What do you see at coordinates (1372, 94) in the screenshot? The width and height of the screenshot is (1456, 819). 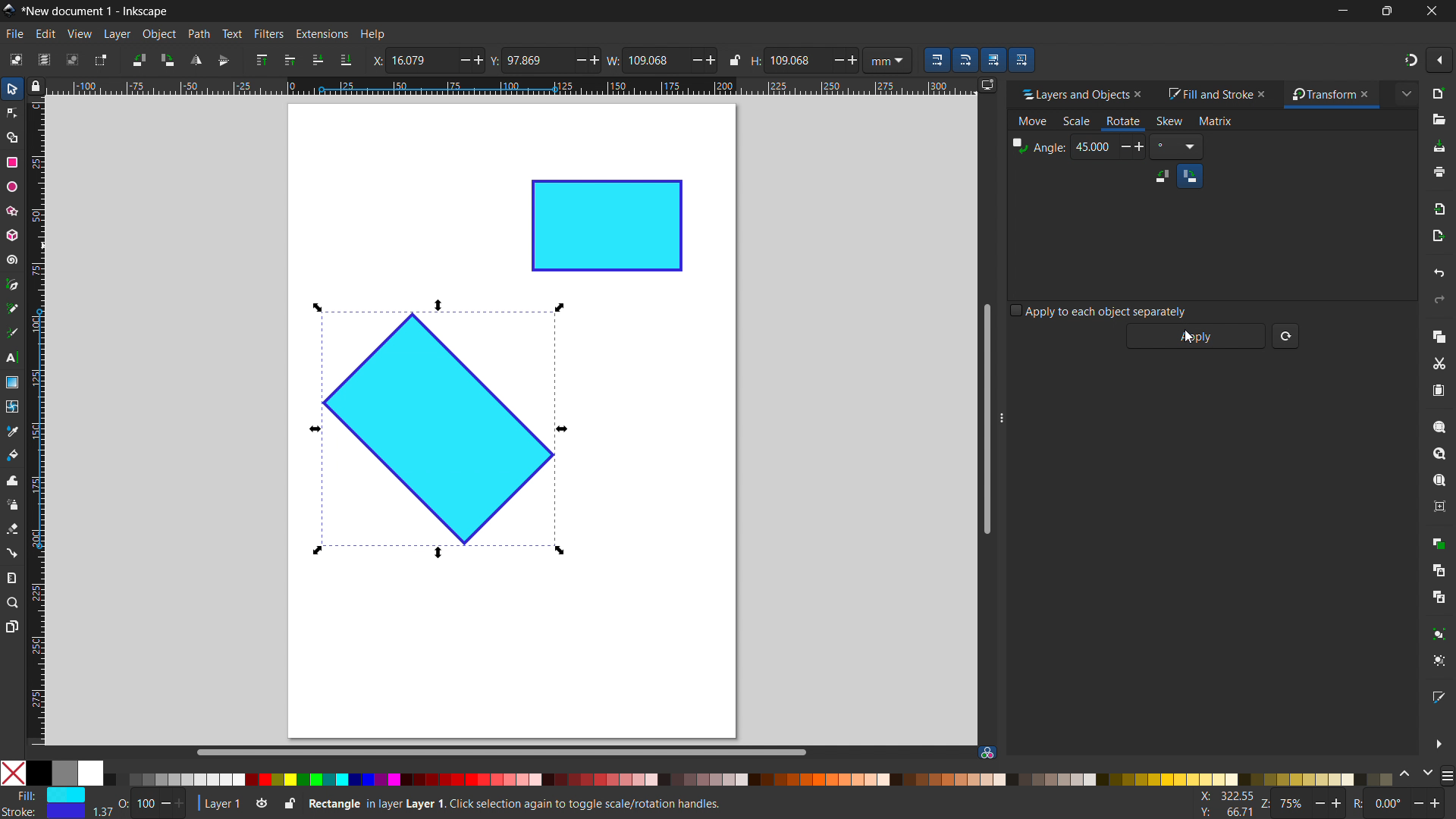 I see `close` at bounding box center [1372, 94].